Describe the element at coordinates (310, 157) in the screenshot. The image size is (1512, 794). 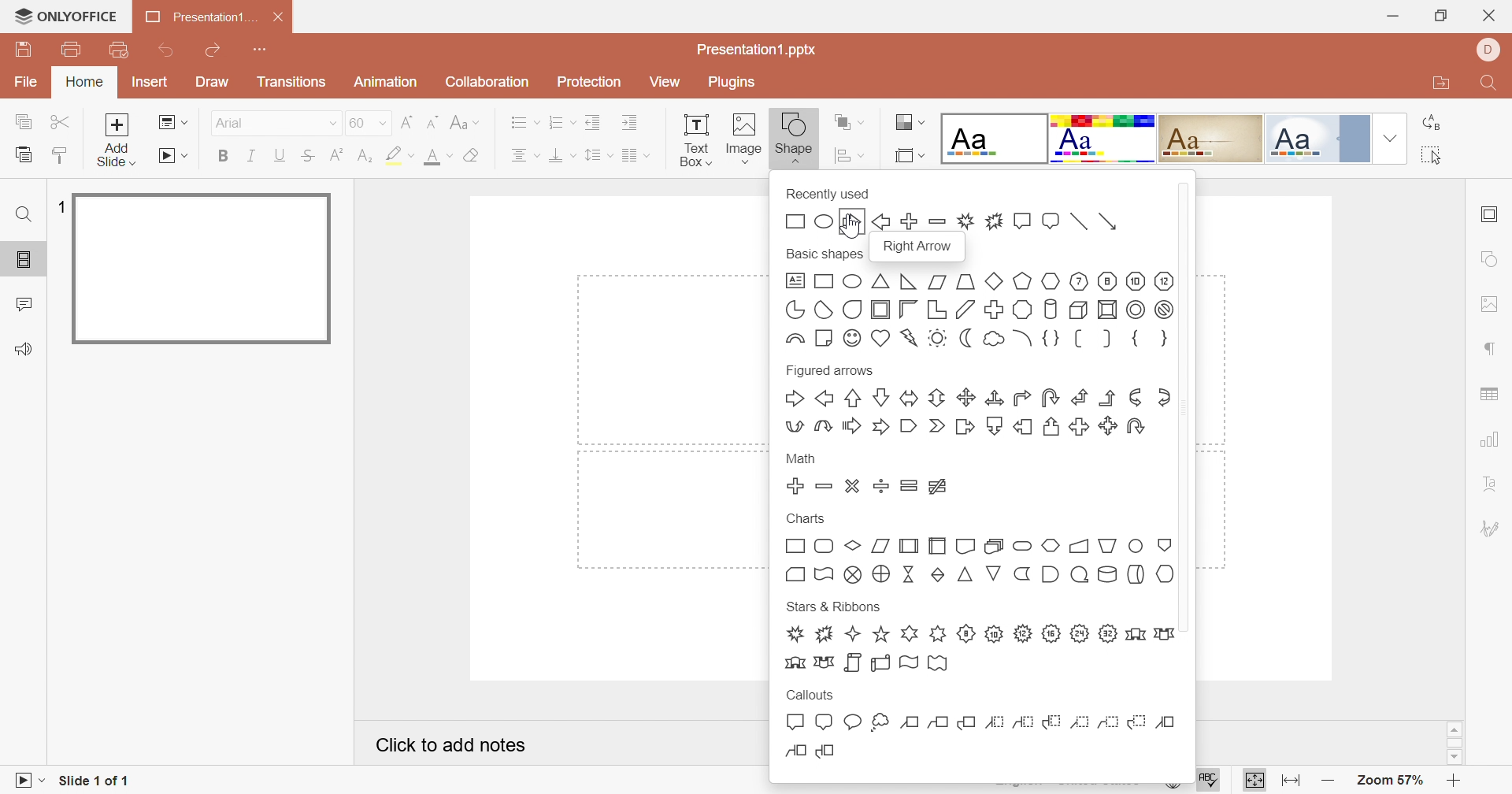
I see `Strikethrough` at that location.